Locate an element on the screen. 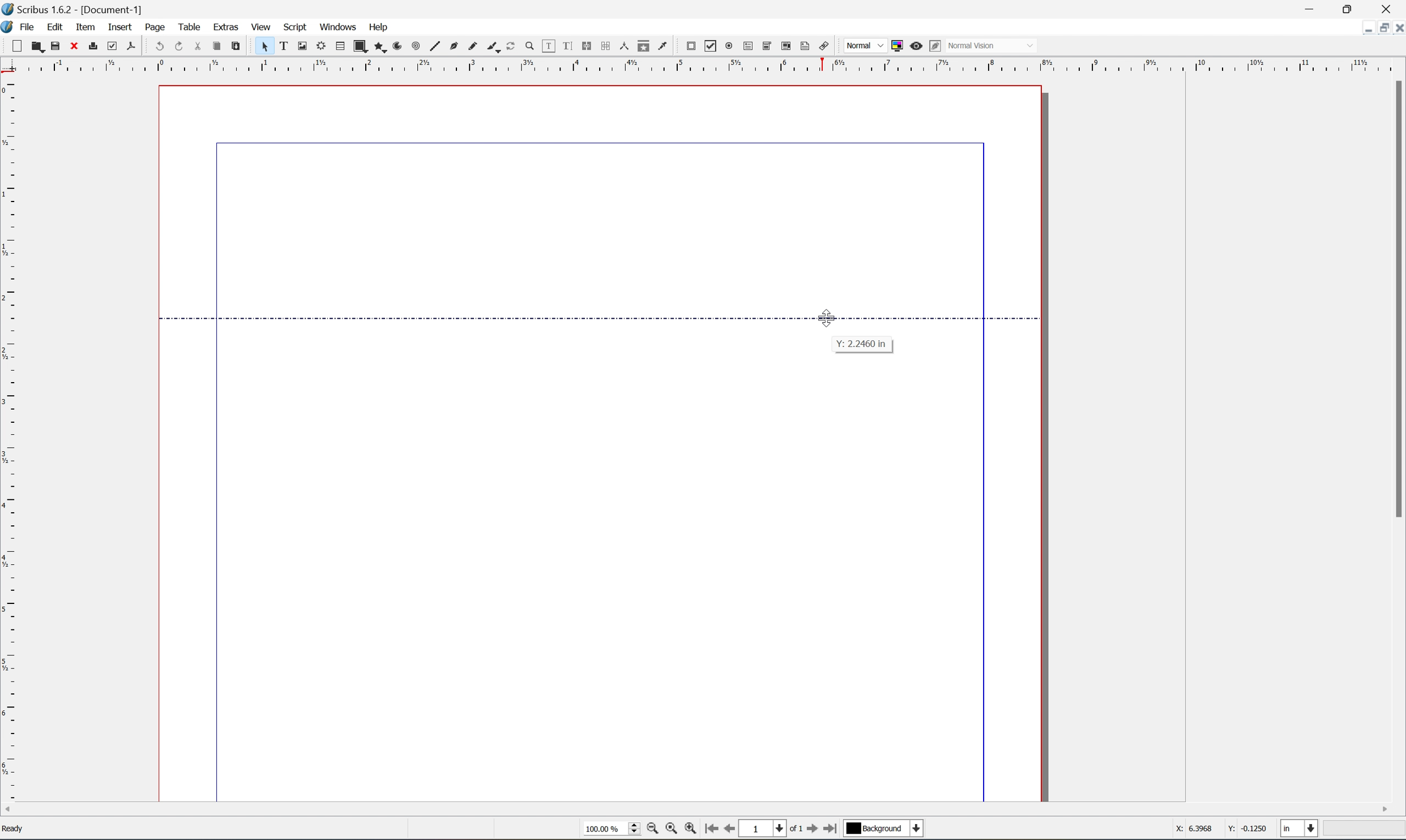  link text frames is located at coordinates (588, 48).